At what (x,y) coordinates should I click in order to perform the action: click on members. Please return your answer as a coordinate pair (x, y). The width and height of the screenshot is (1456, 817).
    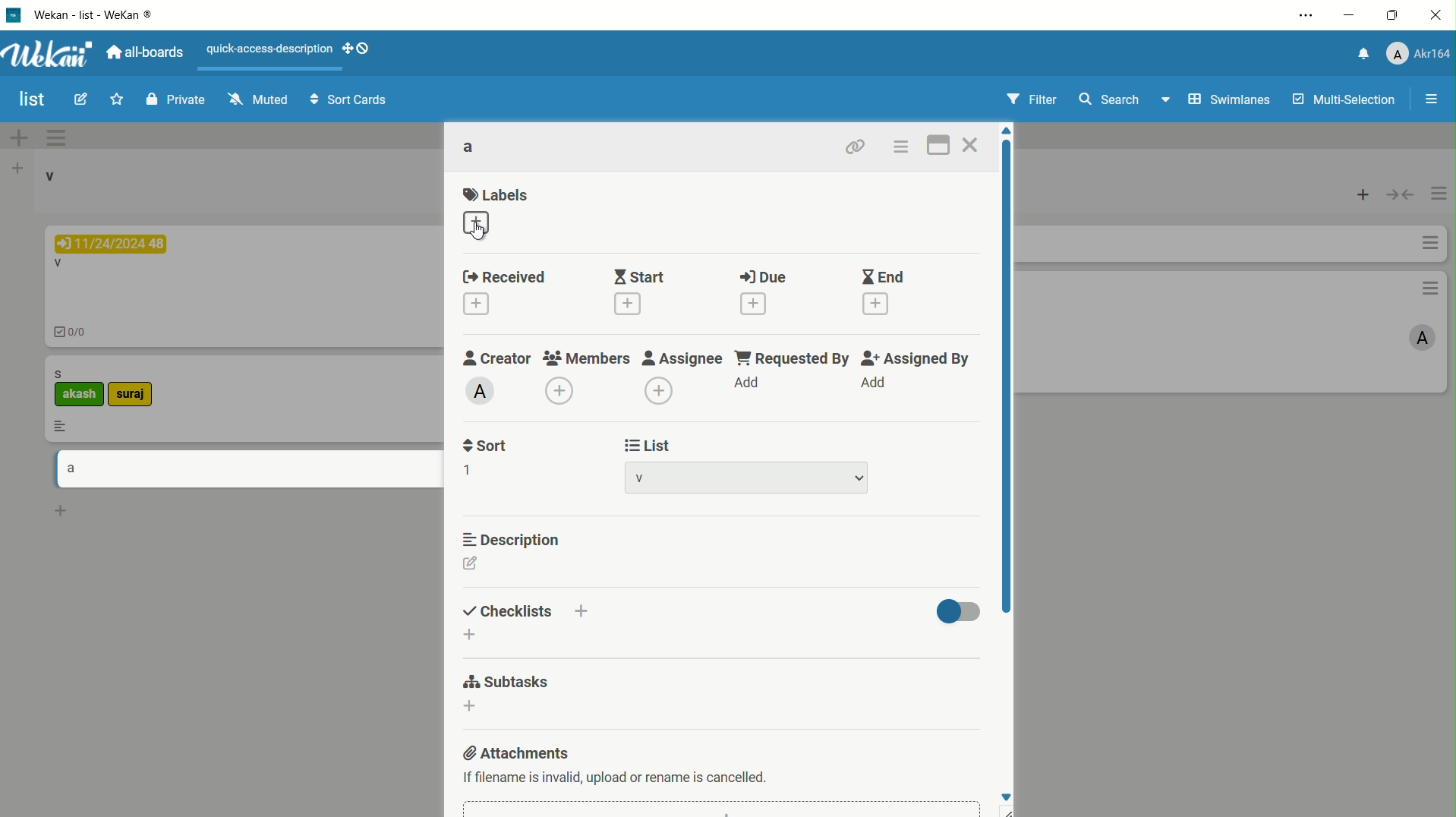
    Looking at the image, I should click on (589, 359).